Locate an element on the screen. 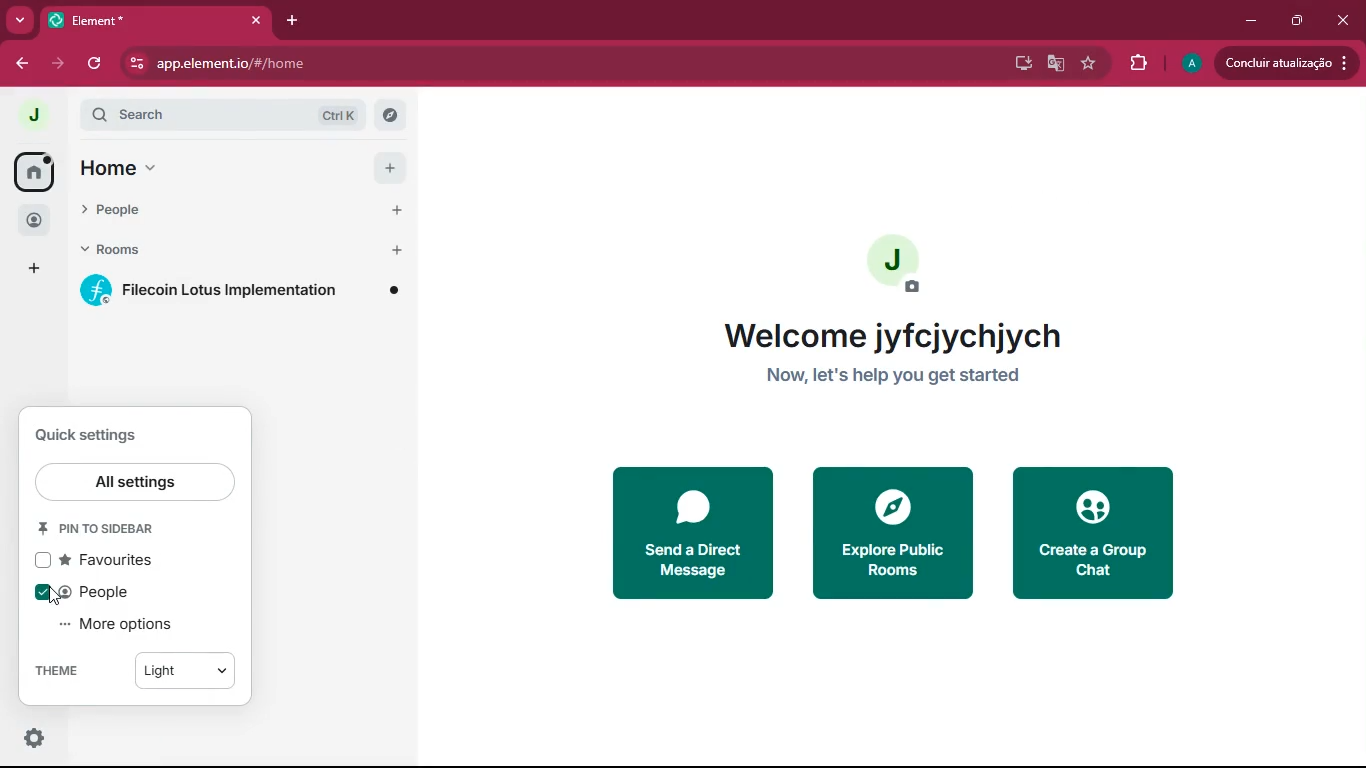 The image size is (1366, 768). home is located at coordinates (140, 167).